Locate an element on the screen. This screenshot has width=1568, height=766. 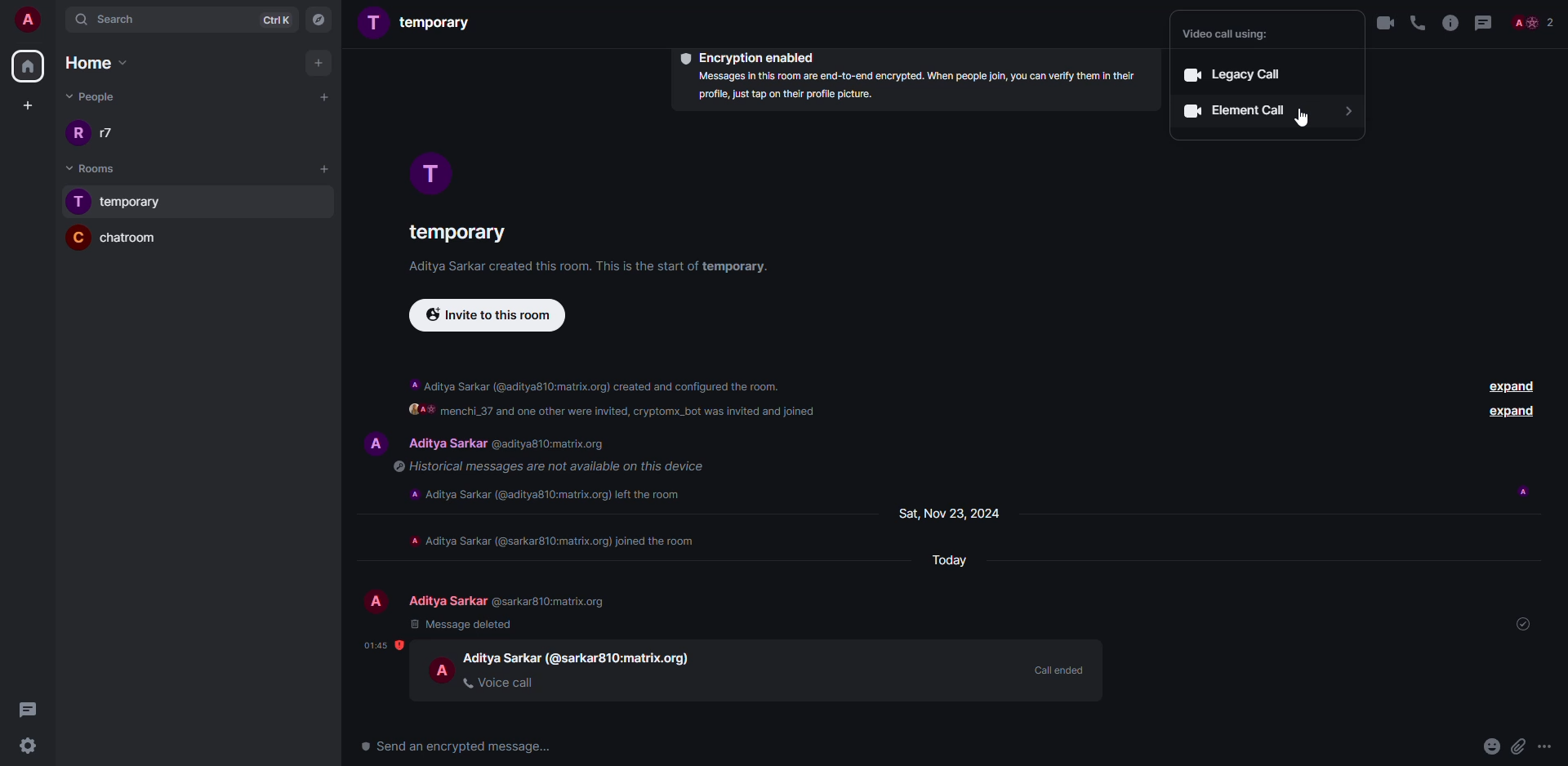
info is located at coordinates (592, 267).